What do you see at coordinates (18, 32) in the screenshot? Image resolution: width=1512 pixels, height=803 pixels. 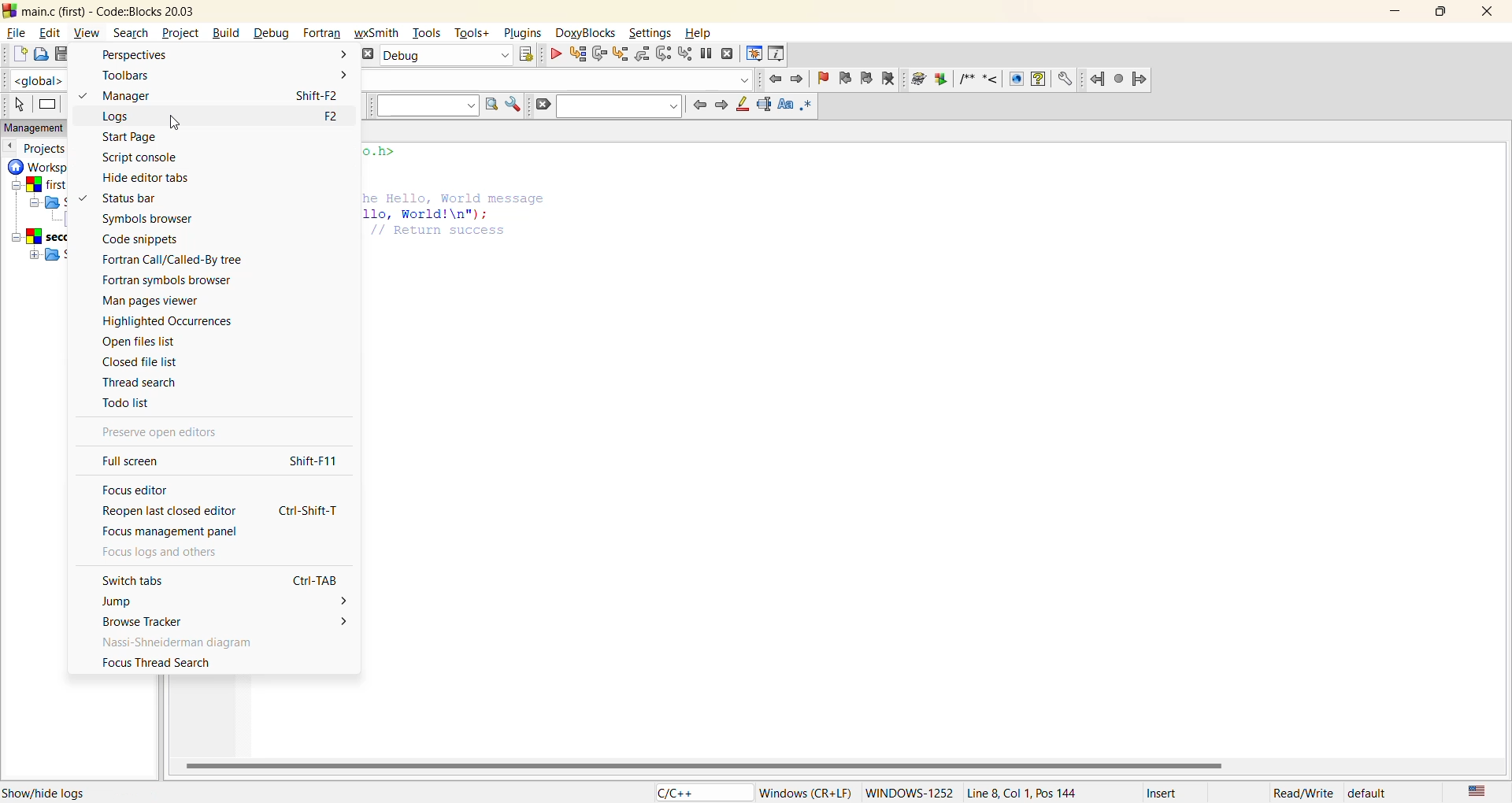 I see `file` at bounding box center [18, 32].